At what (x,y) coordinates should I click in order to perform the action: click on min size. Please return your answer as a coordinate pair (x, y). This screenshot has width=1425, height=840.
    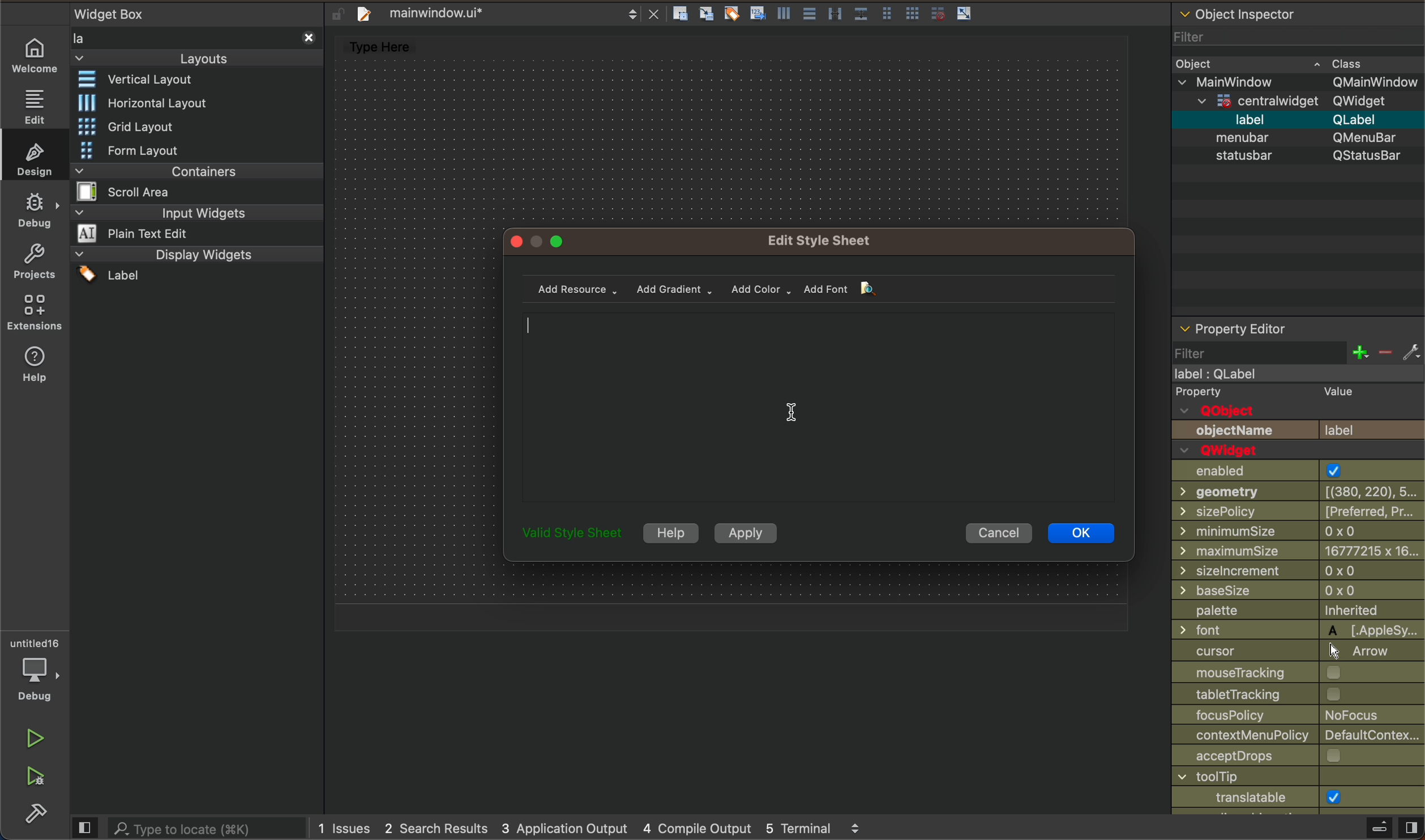
    Looking at the image, I should click on (1298, 550).